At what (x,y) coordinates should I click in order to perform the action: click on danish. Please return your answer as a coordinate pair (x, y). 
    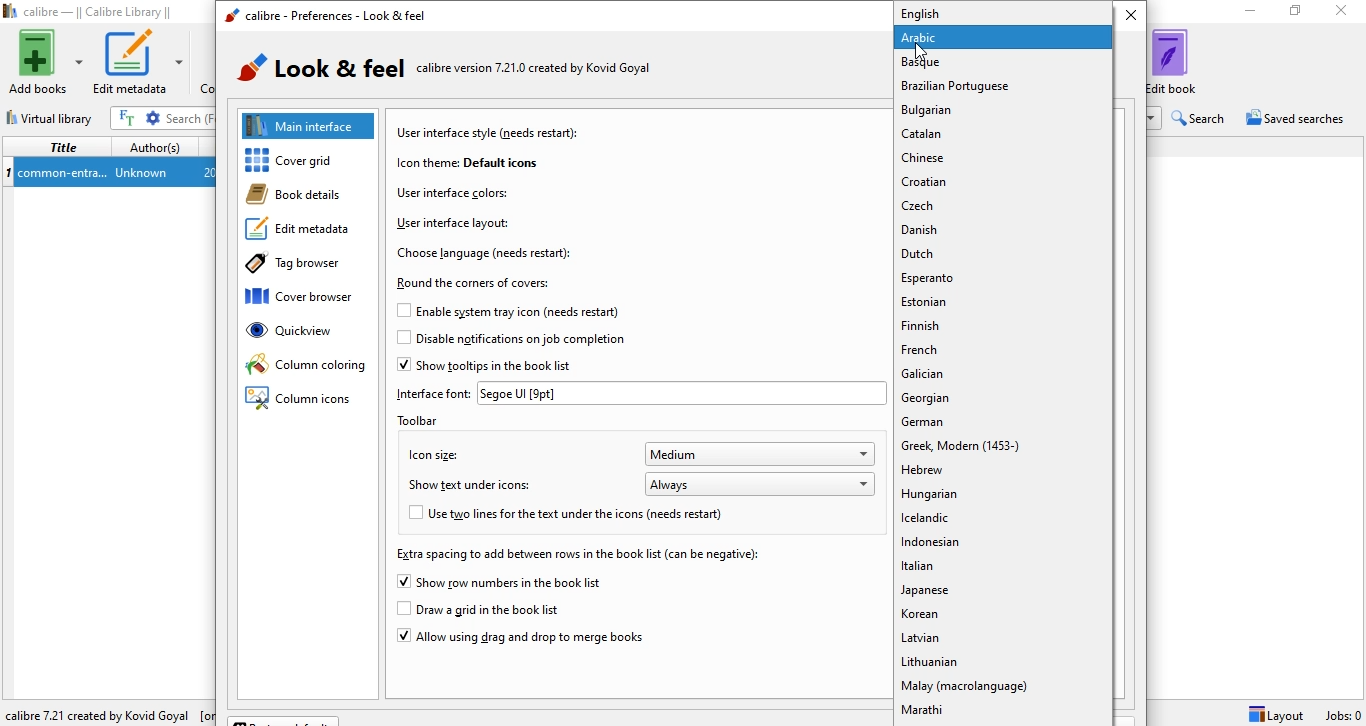
    Looking at the image, I should click on (1004, 230).